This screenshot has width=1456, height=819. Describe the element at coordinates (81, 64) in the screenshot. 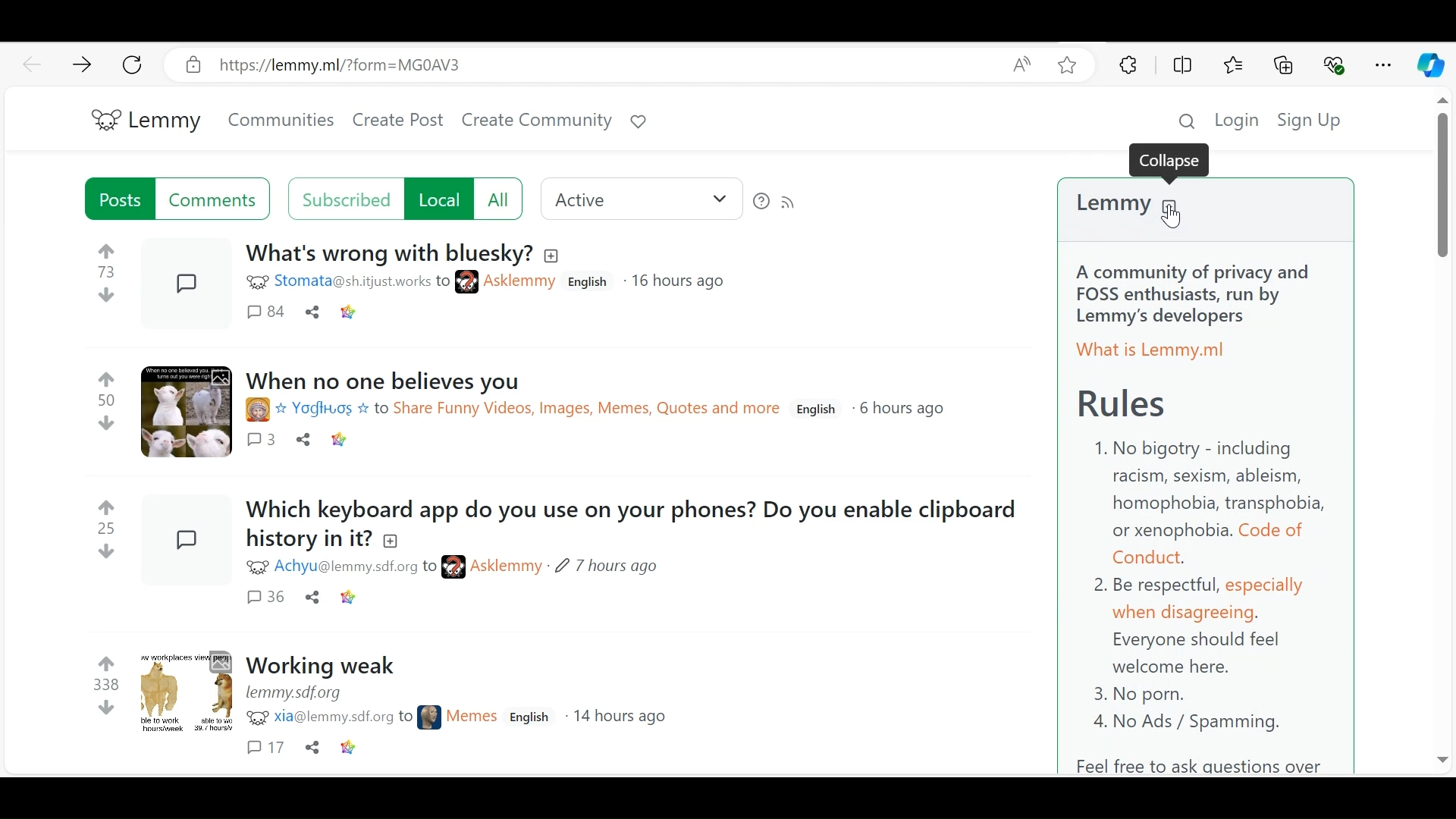

I see `Go forward` at that location.